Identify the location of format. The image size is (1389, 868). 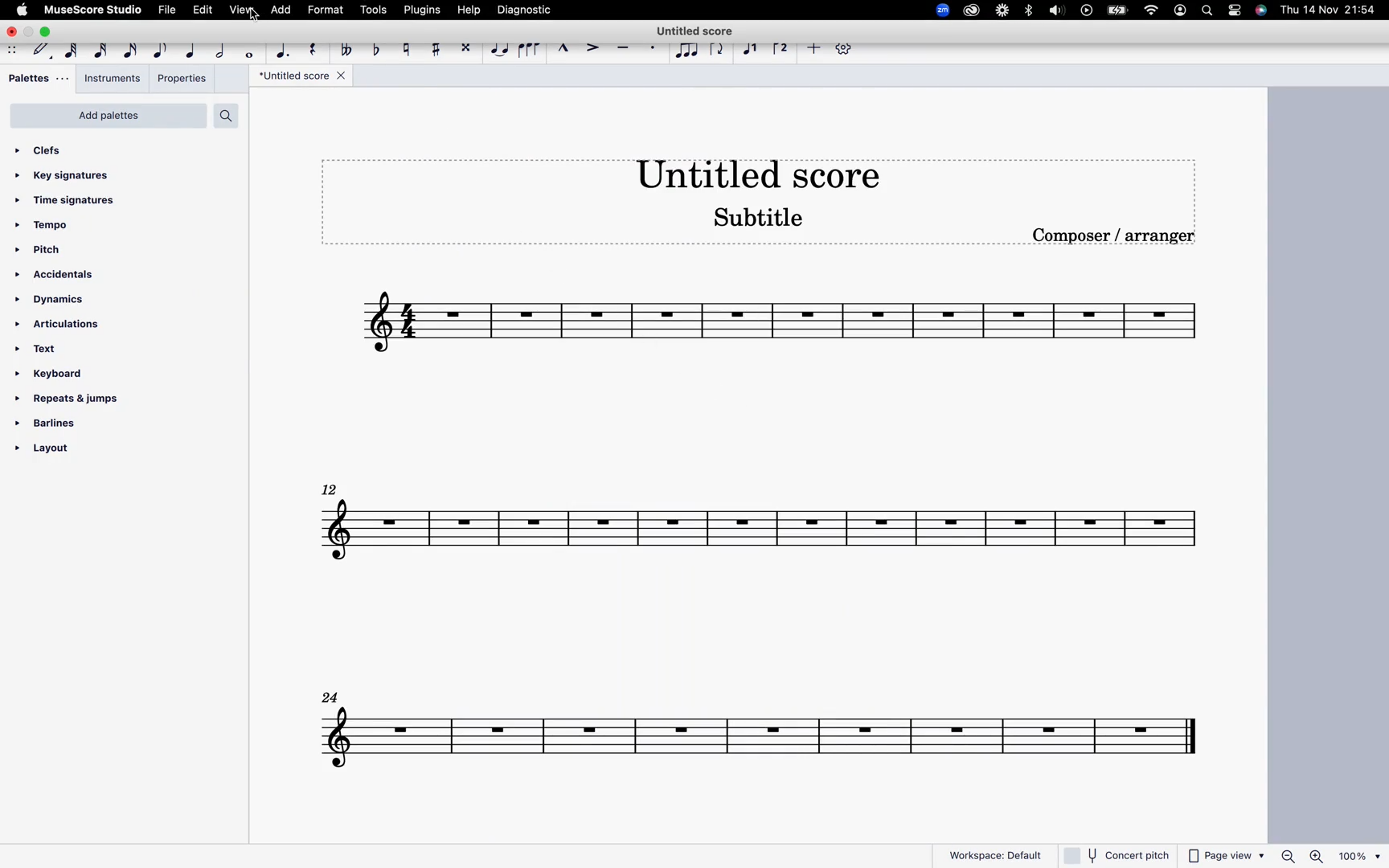
(324, 10).